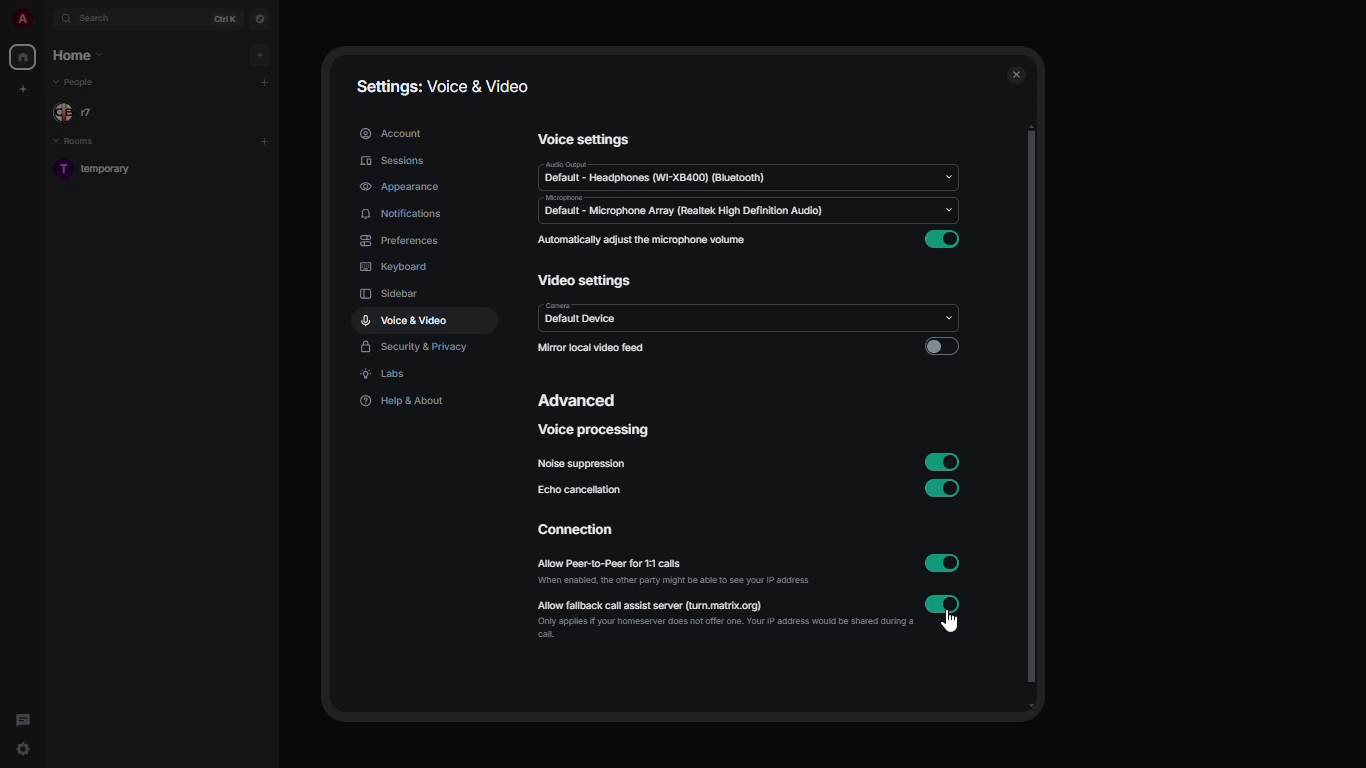  Describe the element at coordinates (389, 293) in the screenshot. I see `sidebar` at that location.